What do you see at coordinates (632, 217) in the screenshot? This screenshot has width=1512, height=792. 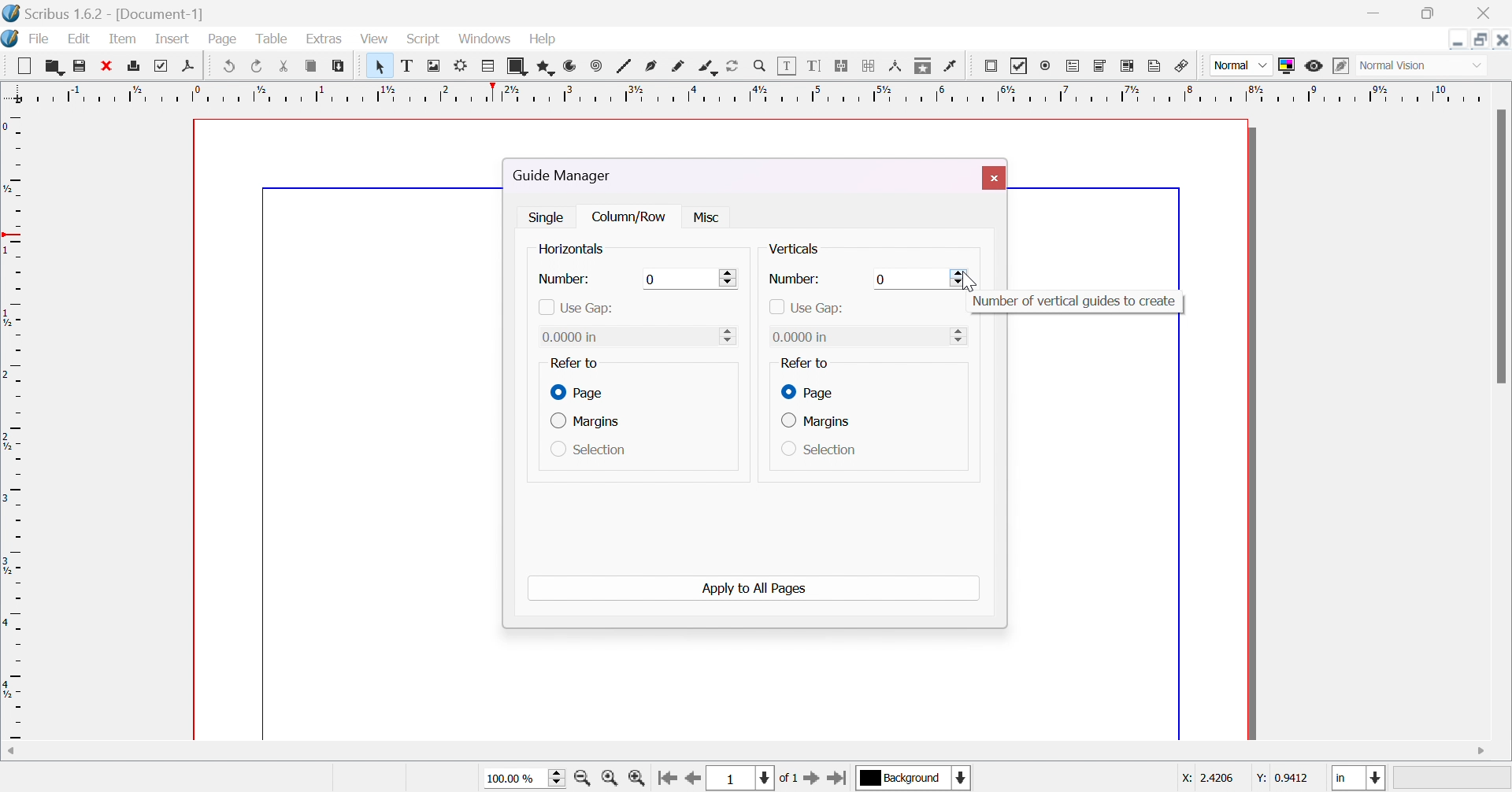 I see `column /row` at bounding box center [632, 217].